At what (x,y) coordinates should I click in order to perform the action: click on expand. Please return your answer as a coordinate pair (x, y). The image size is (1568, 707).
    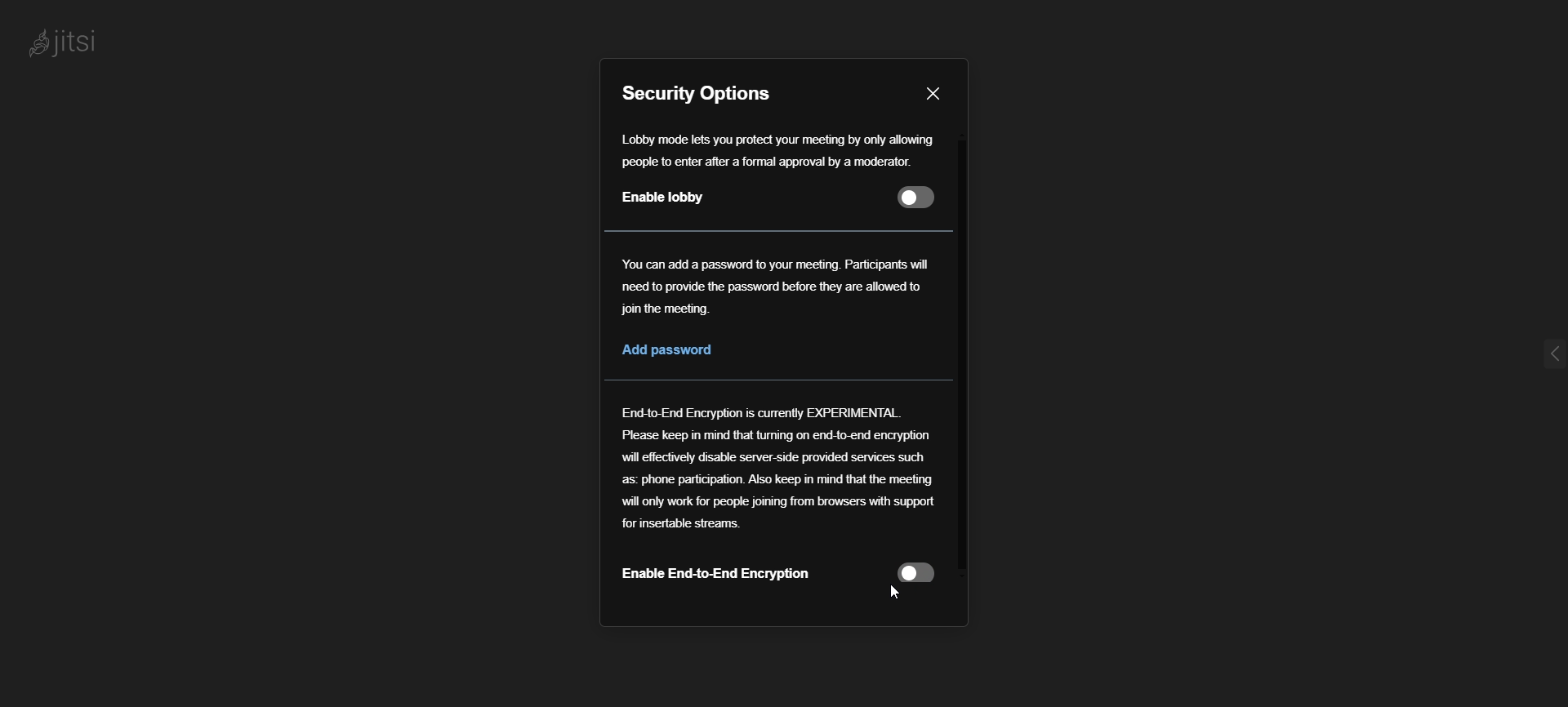
    Looking at the image, I should click on (1533, 359).